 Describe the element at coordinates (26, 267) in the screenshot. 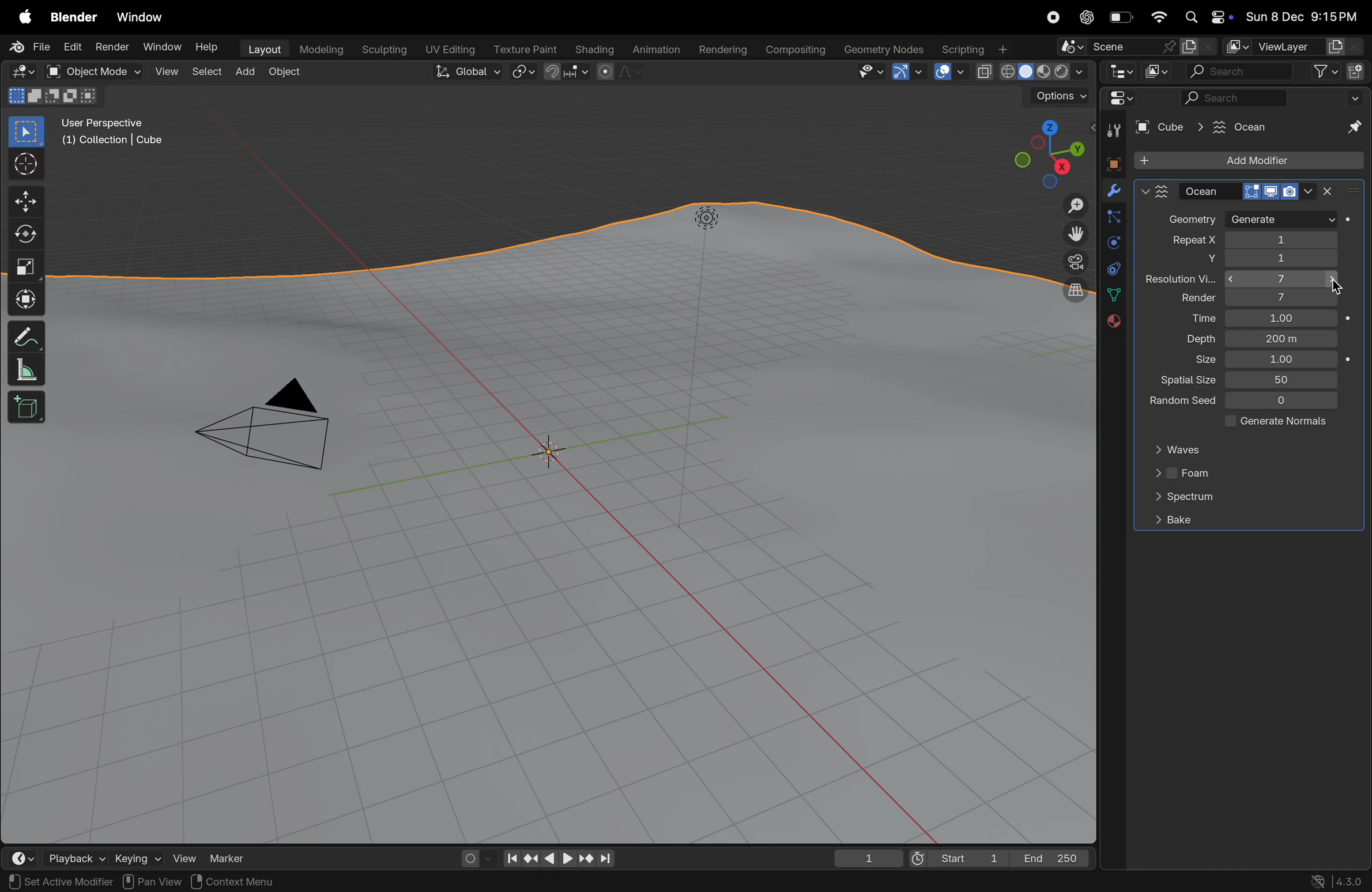

I see `scale` at that location.